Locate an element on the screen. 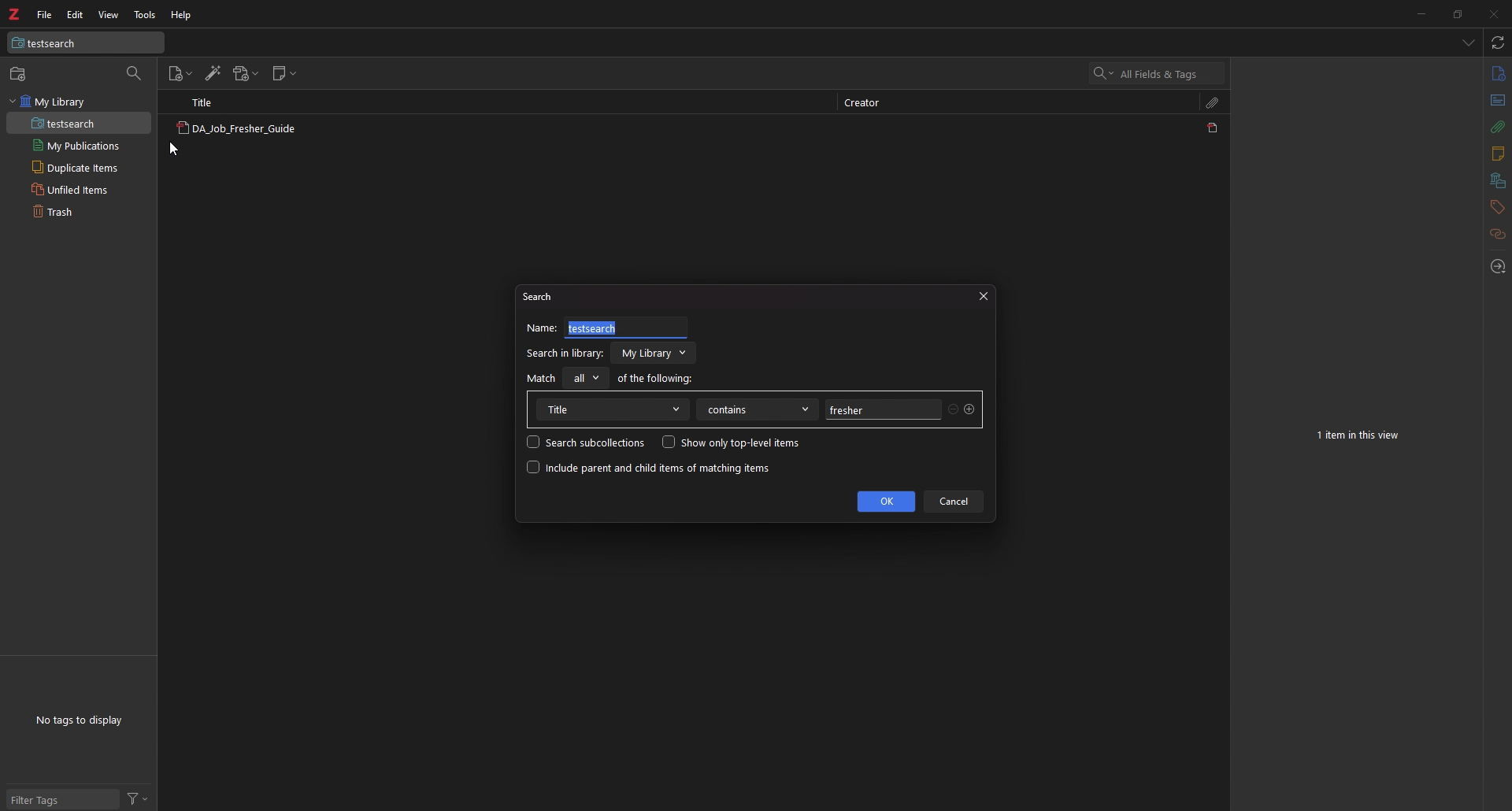  test search is located at coordinates (86, 43).